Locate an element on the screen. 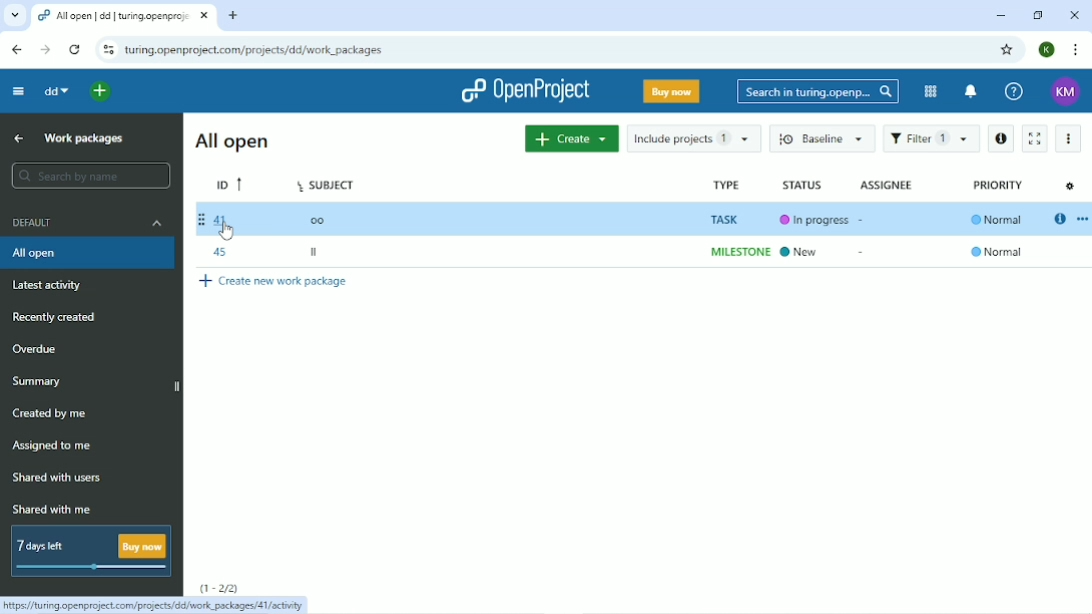 The width and height of the screenshot is (1092, 614). Help is located at coordinates (1013, 92).